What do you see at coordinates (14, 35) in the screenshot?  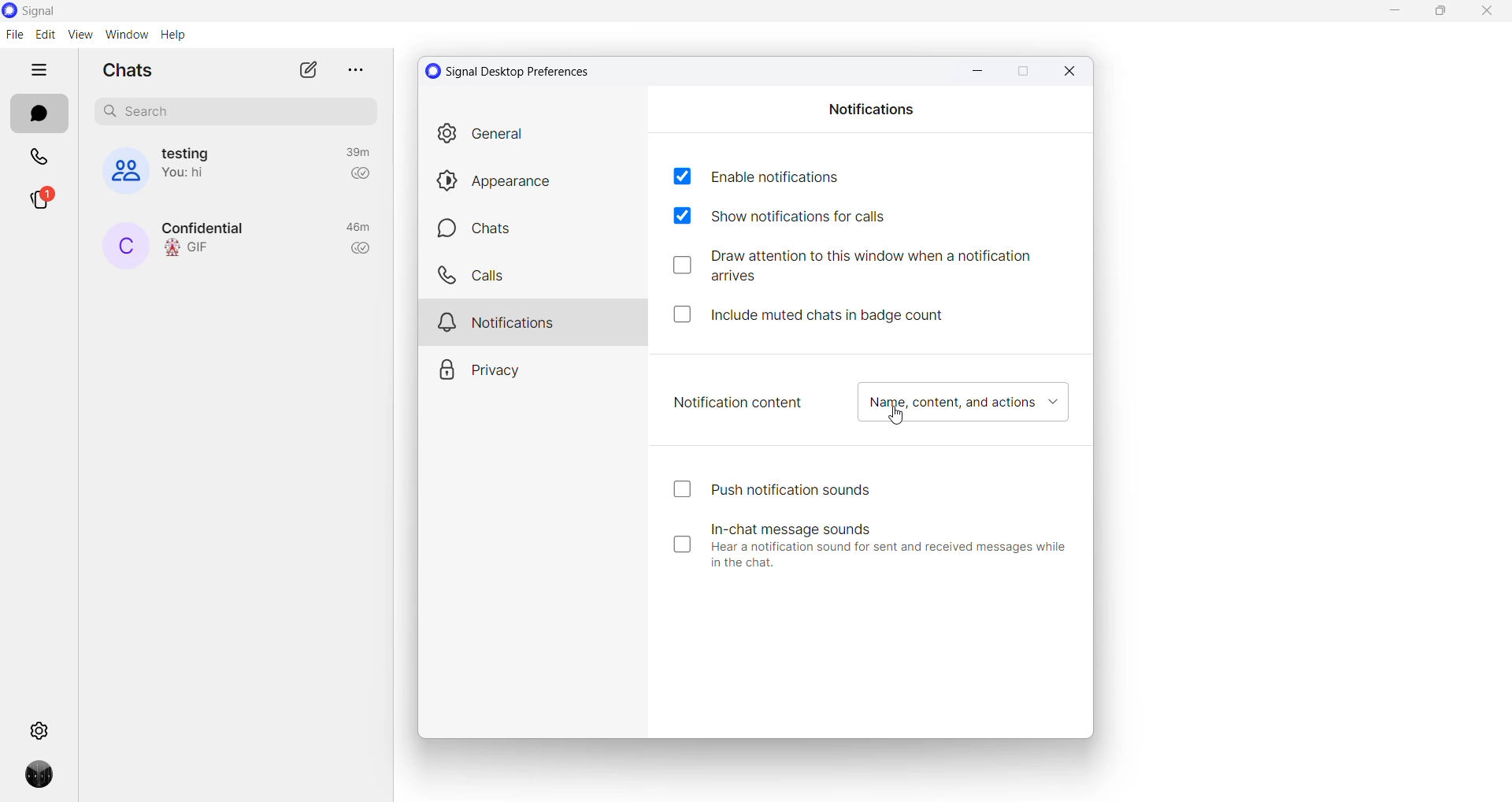 I see `file` at bounding box center [14, 35].